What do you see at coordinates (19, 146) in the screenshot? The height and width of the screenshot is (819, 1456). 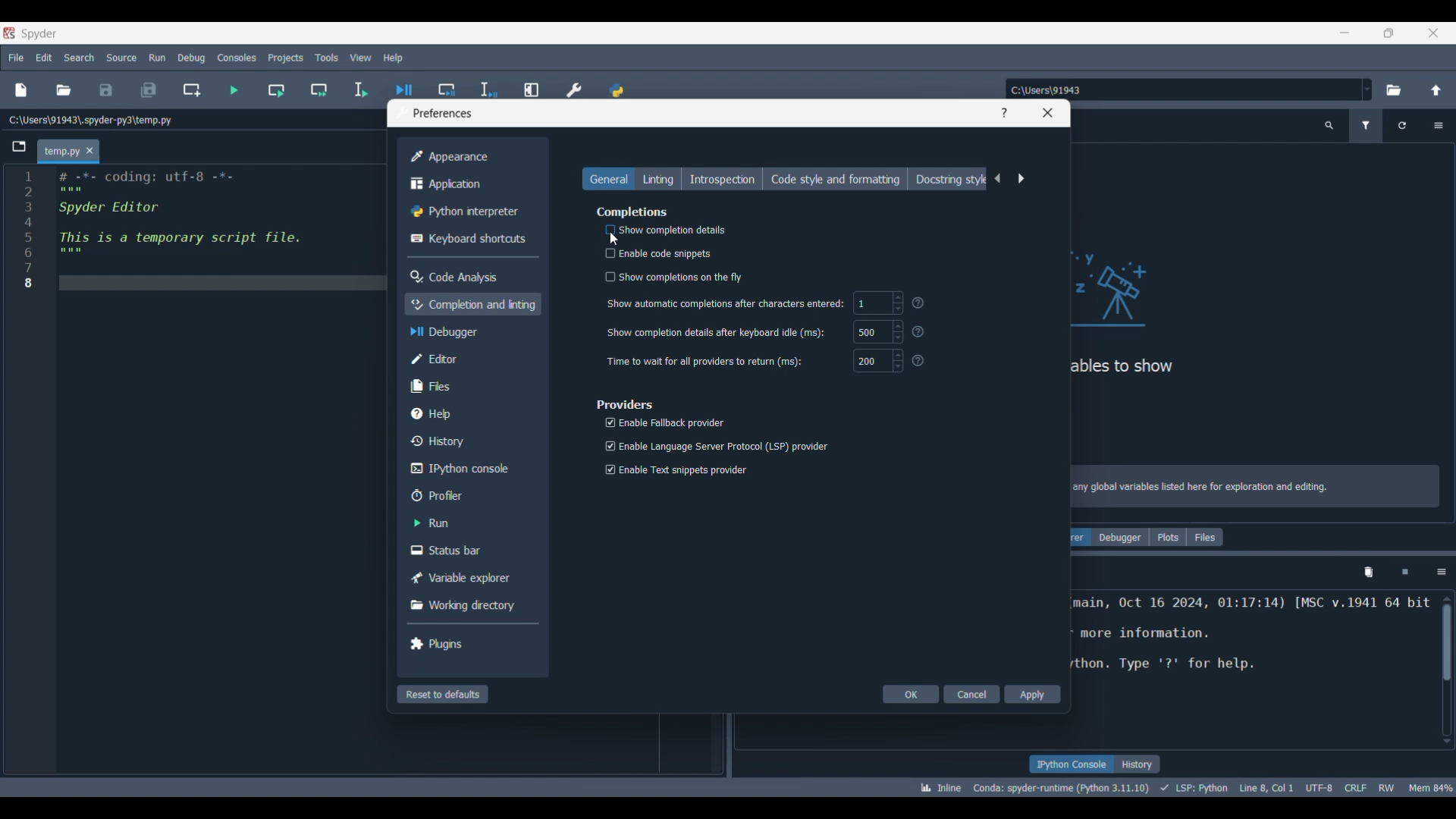 I see `Browse tabs` at bounding box center [19, 146].